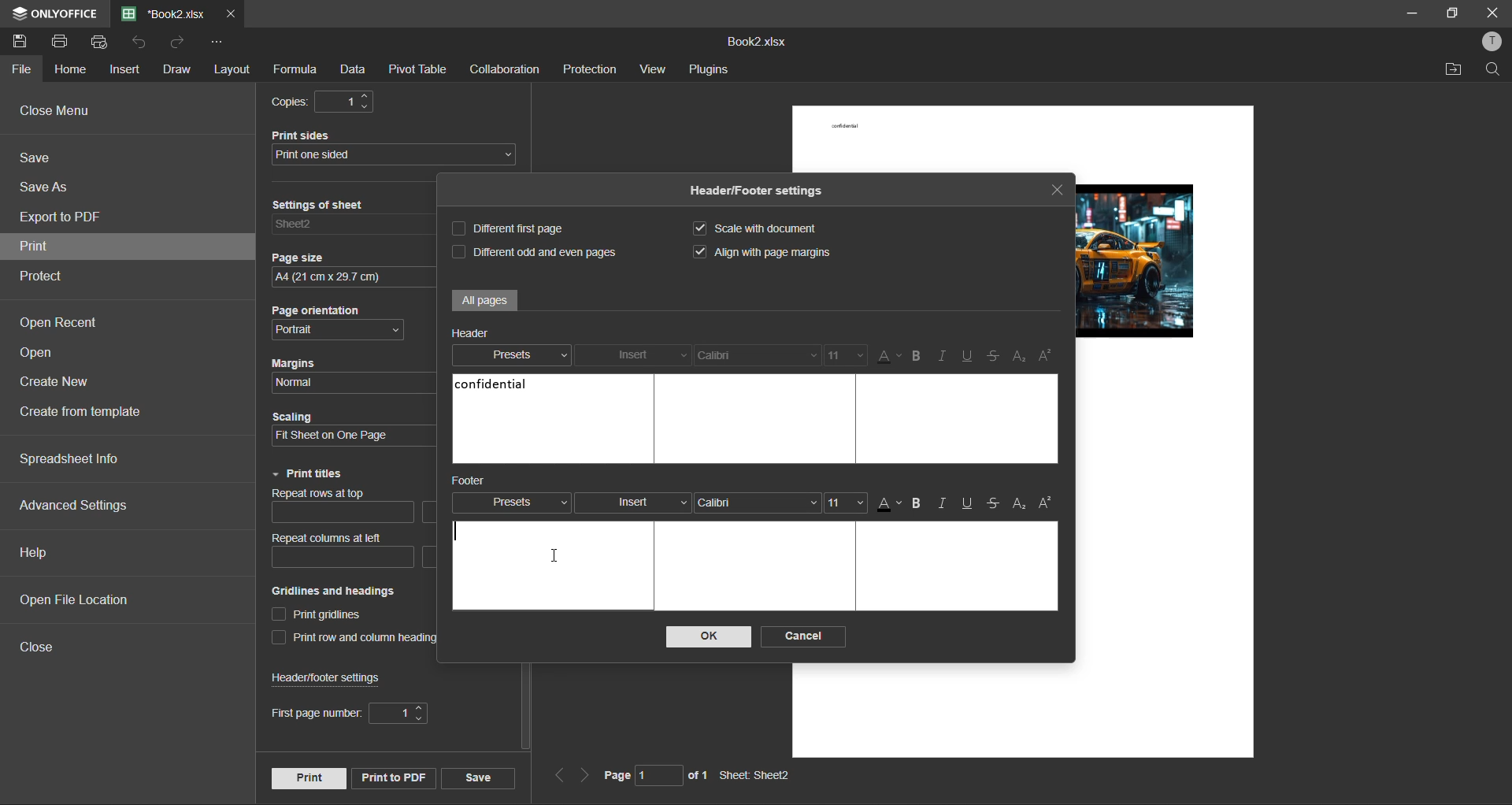 This screenshot has height=805, width=1512. I want to click on repeat rows at top, so click(354, 507).